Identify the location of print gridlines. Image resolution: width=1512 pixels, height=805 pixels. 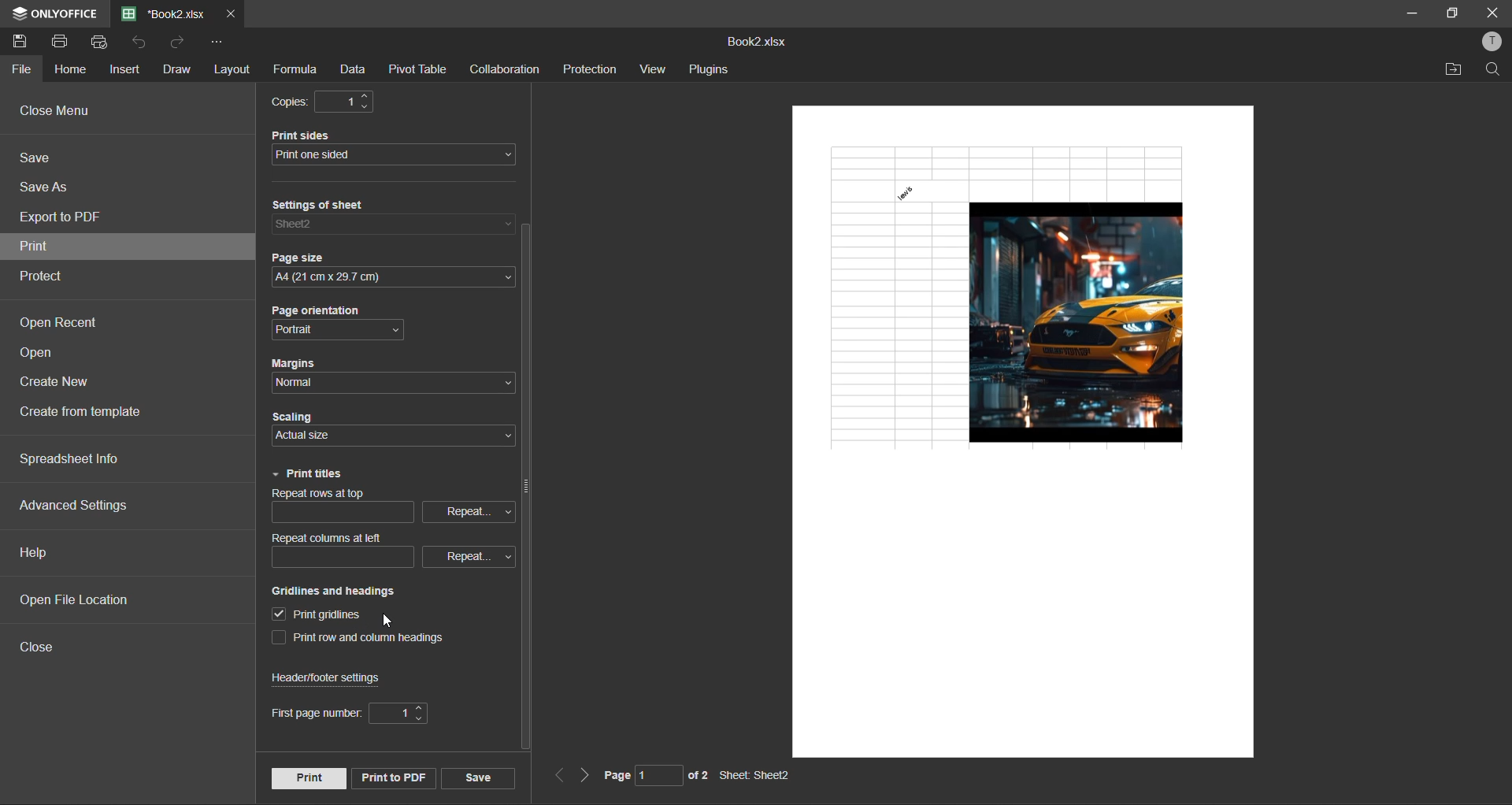
(332, 616).